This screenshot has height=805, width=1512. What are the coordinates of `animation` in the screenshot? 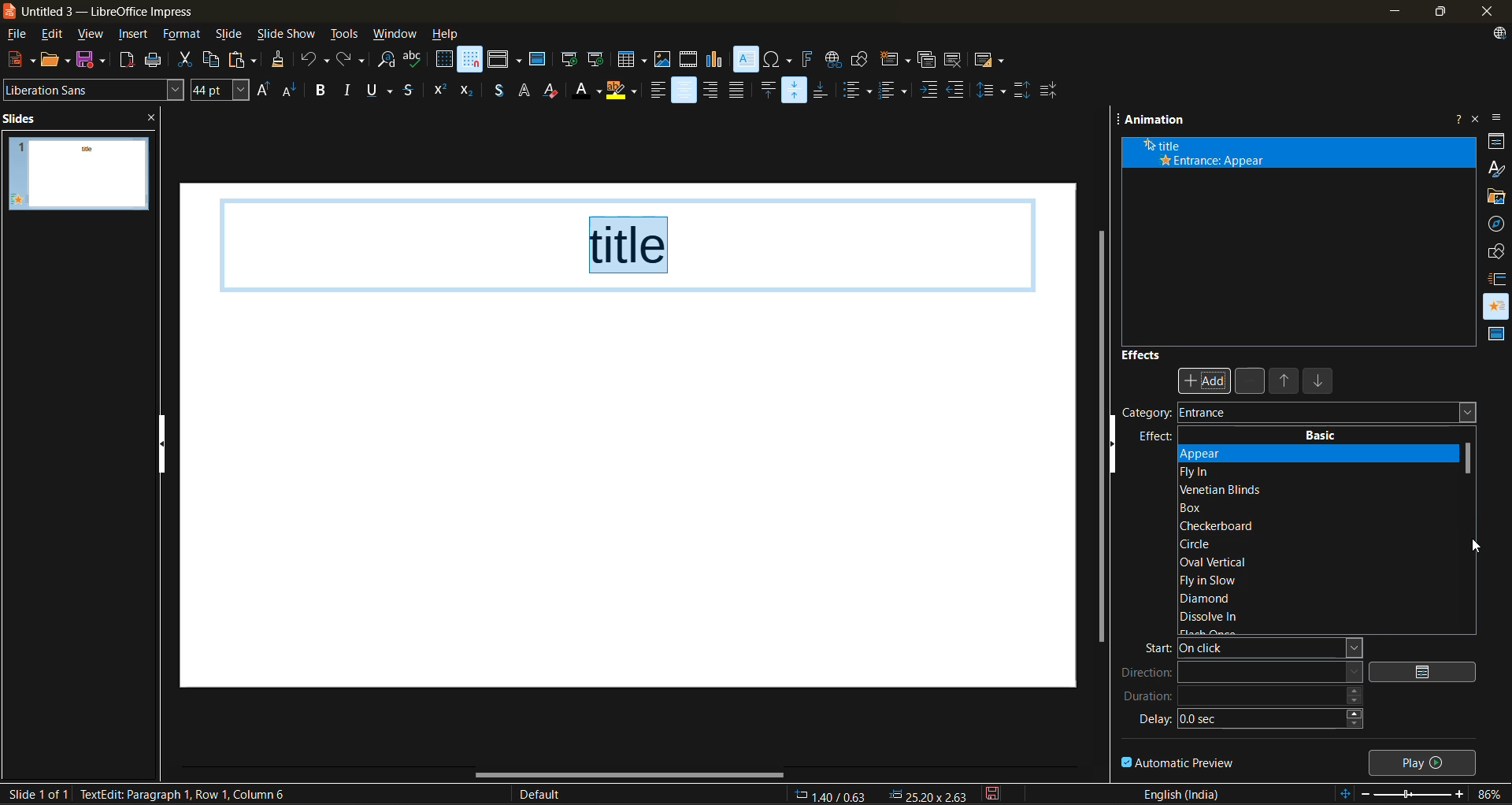 It's located at (1157, 122).